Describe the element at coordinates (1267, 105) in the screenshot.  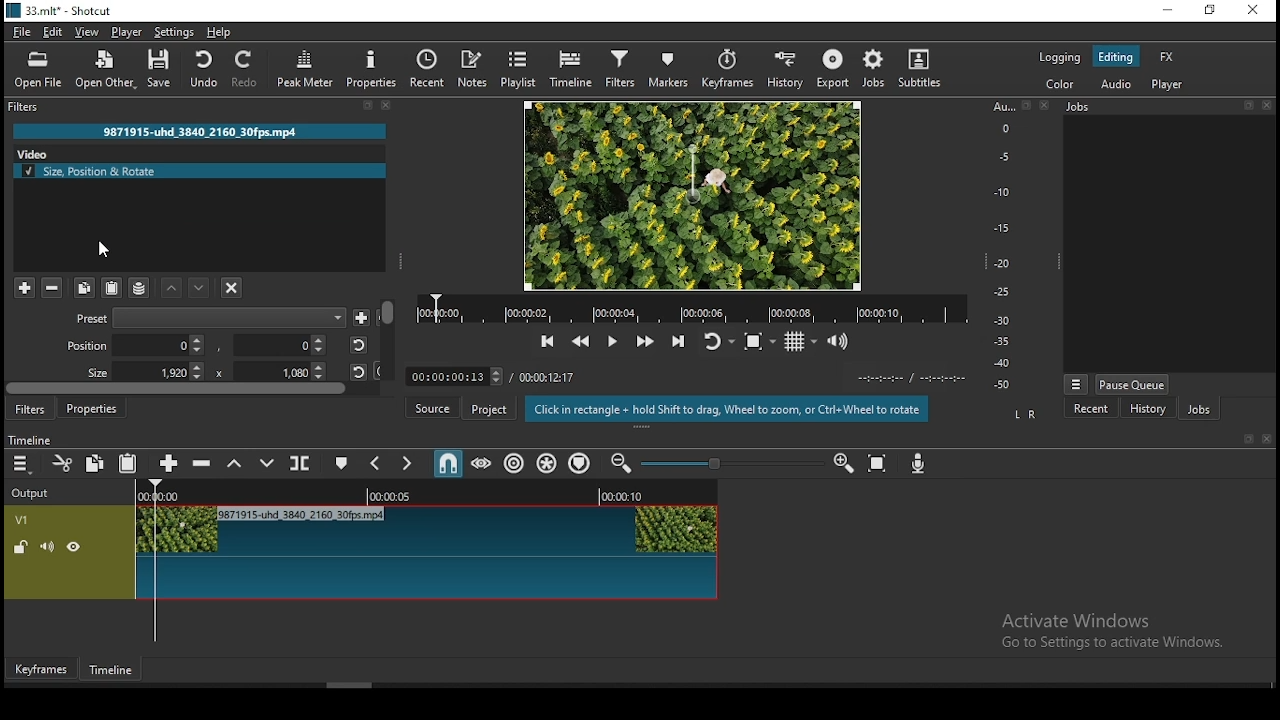
I see `close` at that location.